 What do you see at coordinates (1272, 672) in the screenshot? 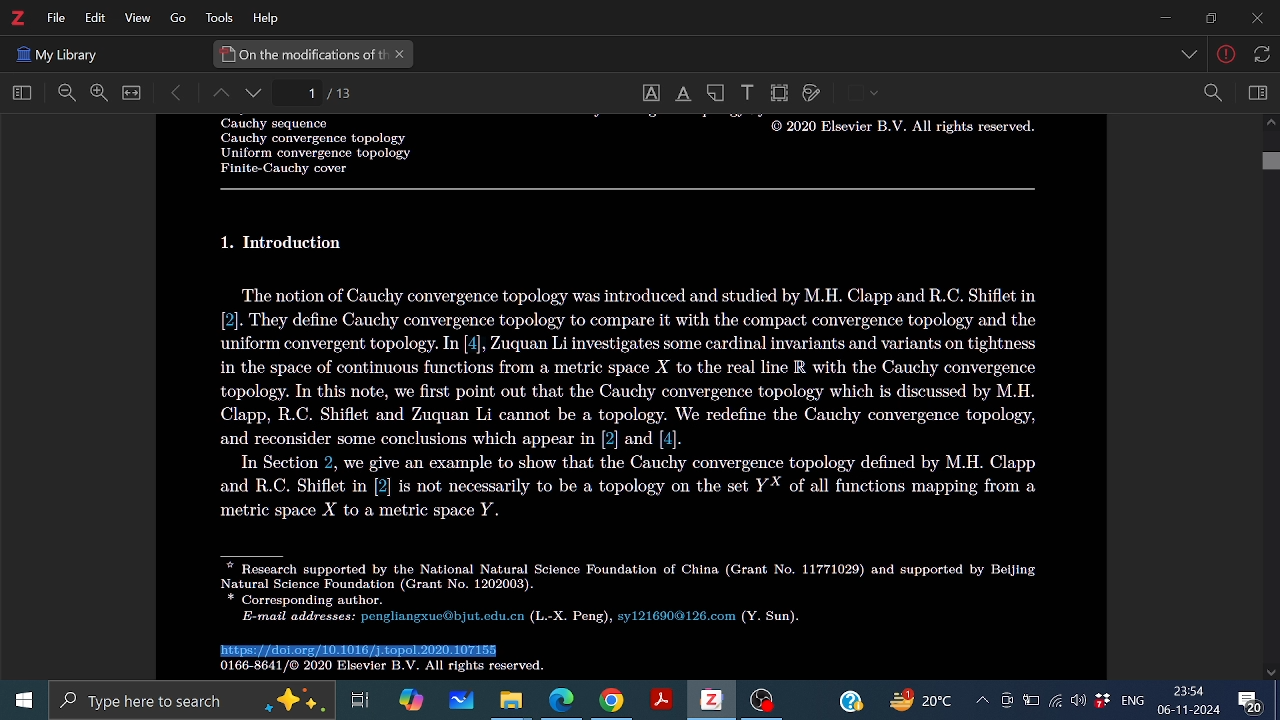
I see `Move down` at bounding box center [1272, 672].